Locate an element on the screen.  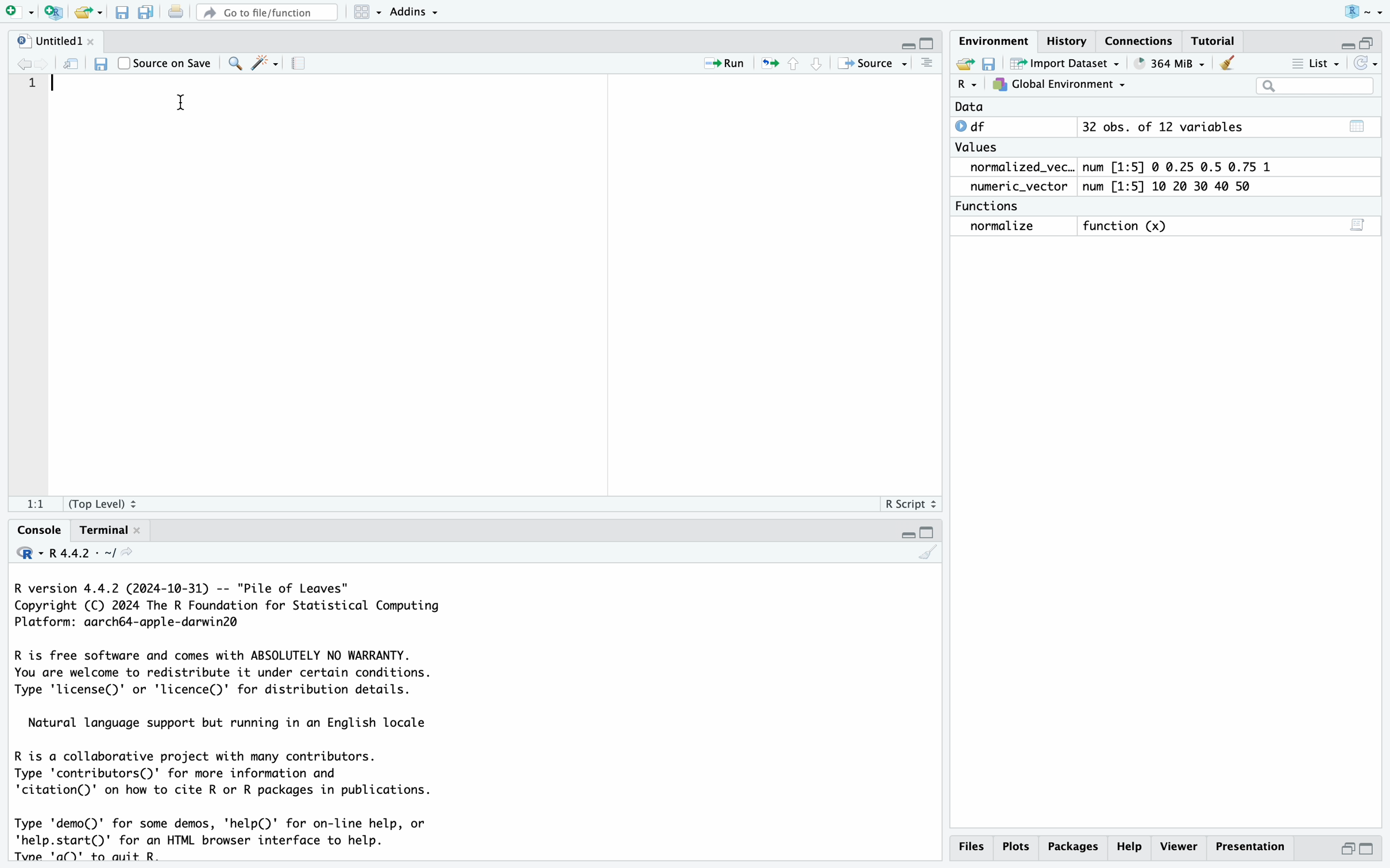
Front is located at coordinates (47, 63).